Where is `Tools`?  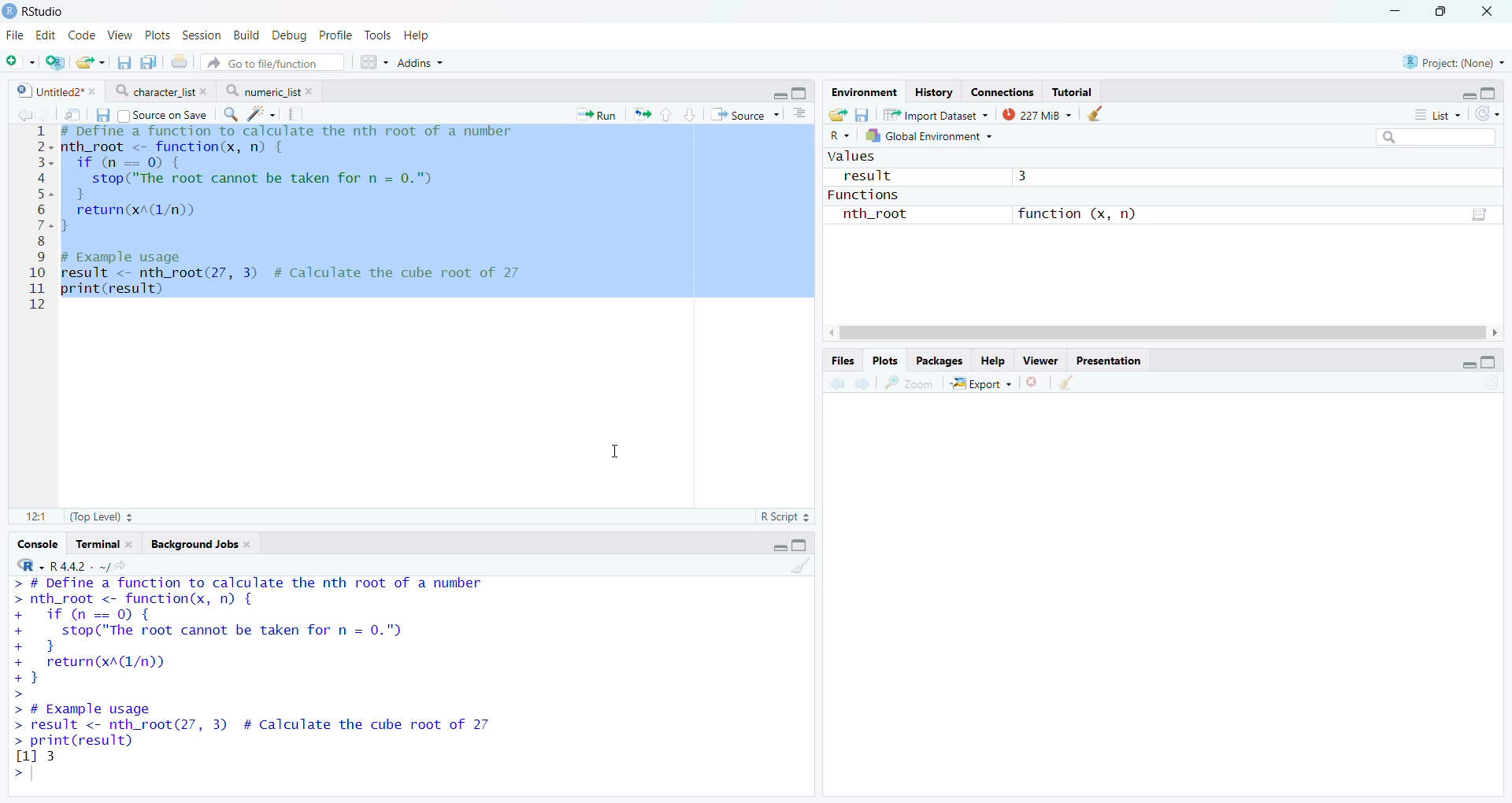 Tools is located at coordinates (381, 35).